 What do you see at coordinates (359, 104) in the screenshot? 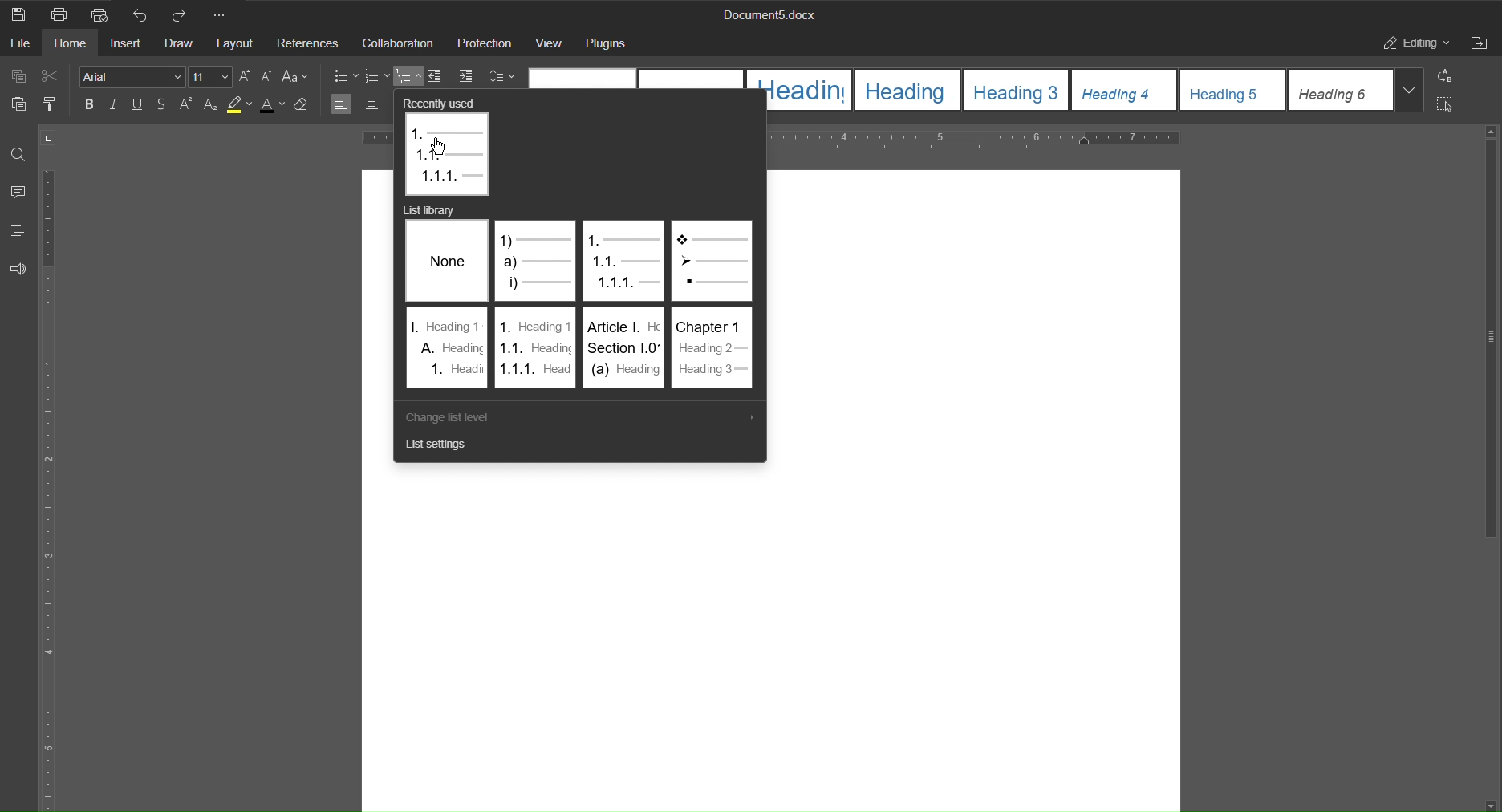
I see `Alignment` at bounding box center [359, 104].